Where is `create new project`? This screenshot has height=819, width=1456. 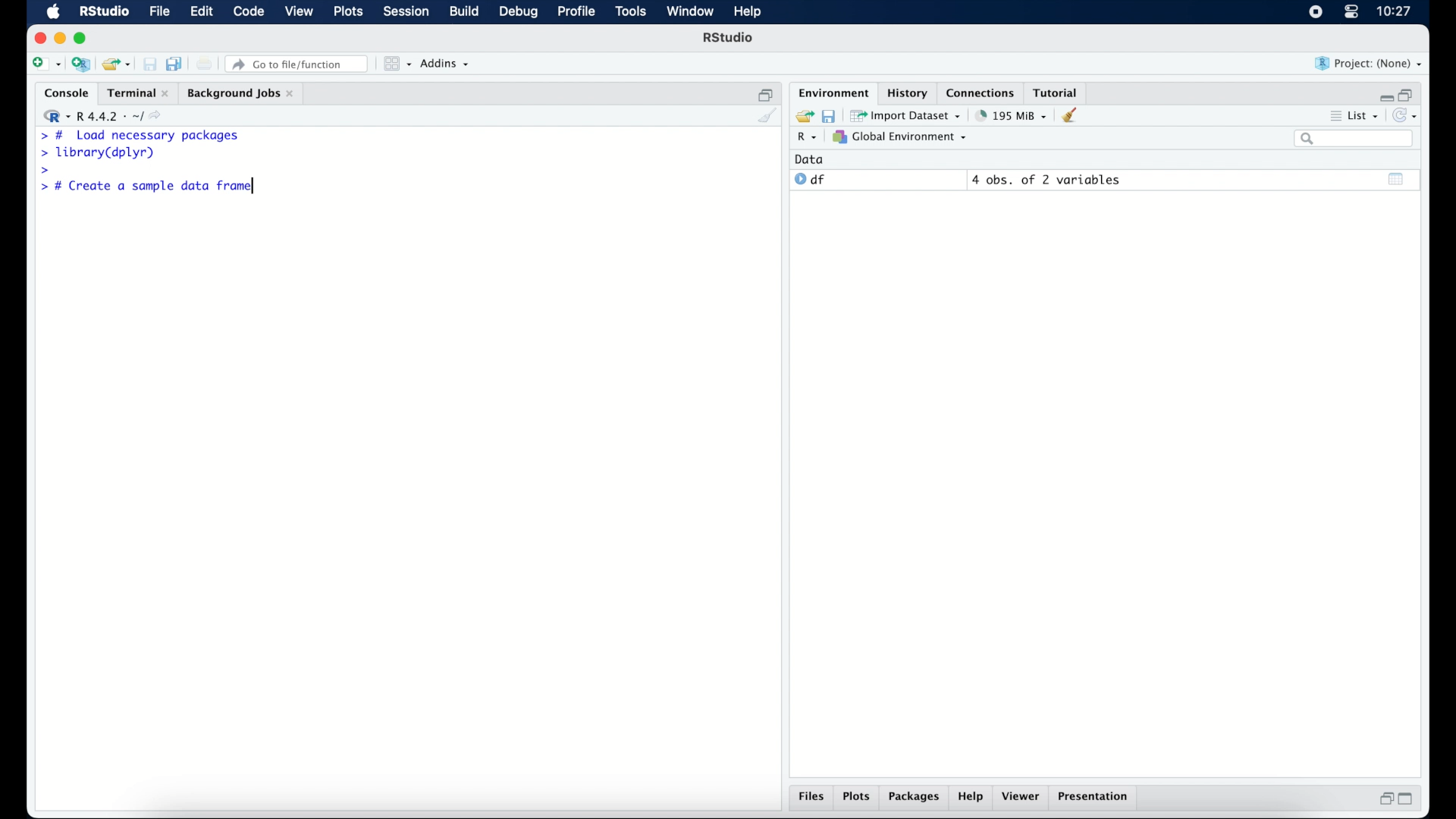 create new project is located at coordinates (81, 65).